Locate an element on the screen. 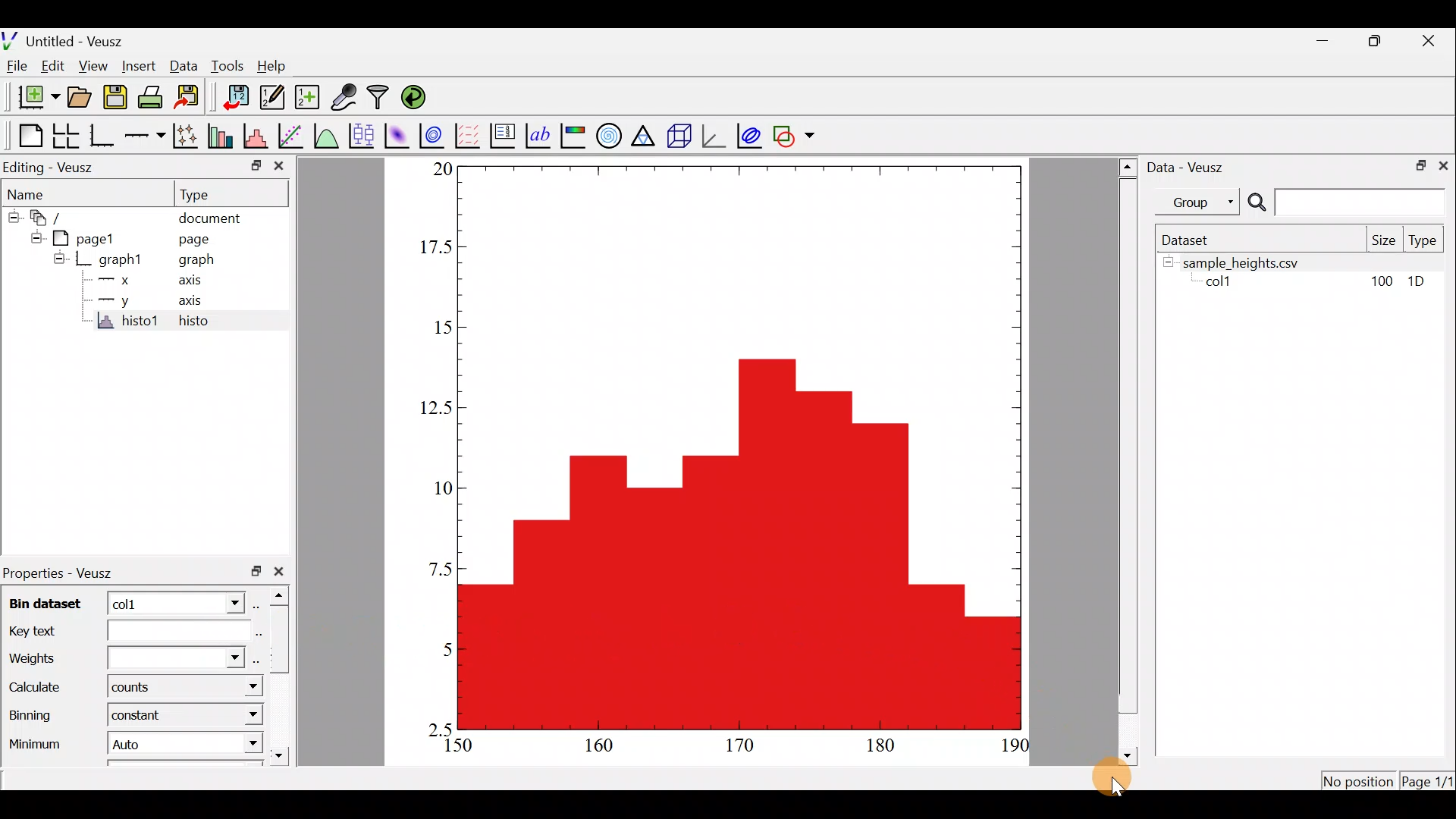  Dataset is located at coordinates (1194, 240).